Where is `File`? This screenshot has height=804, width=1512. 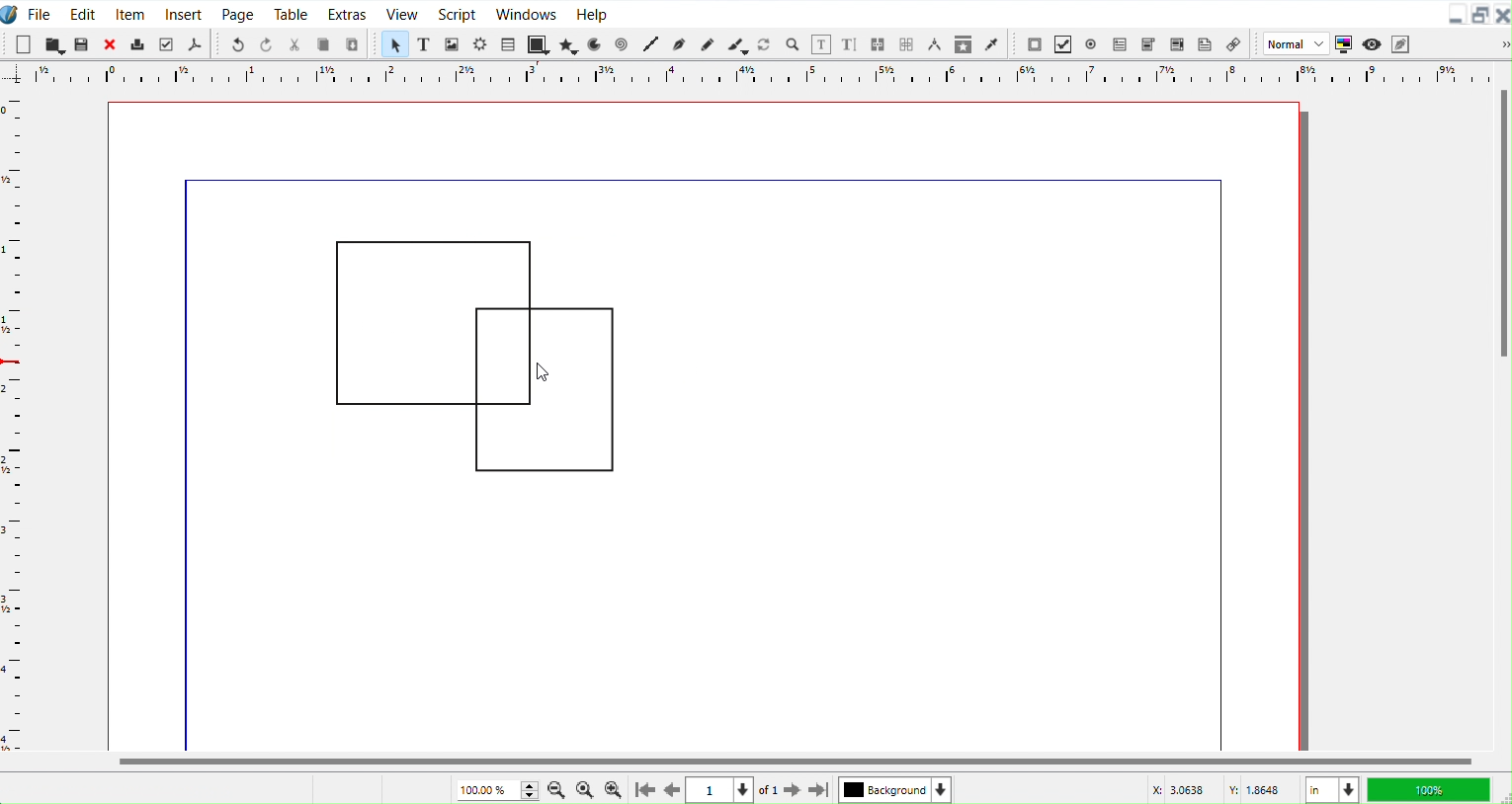 File is located at coordinates (42, 13).